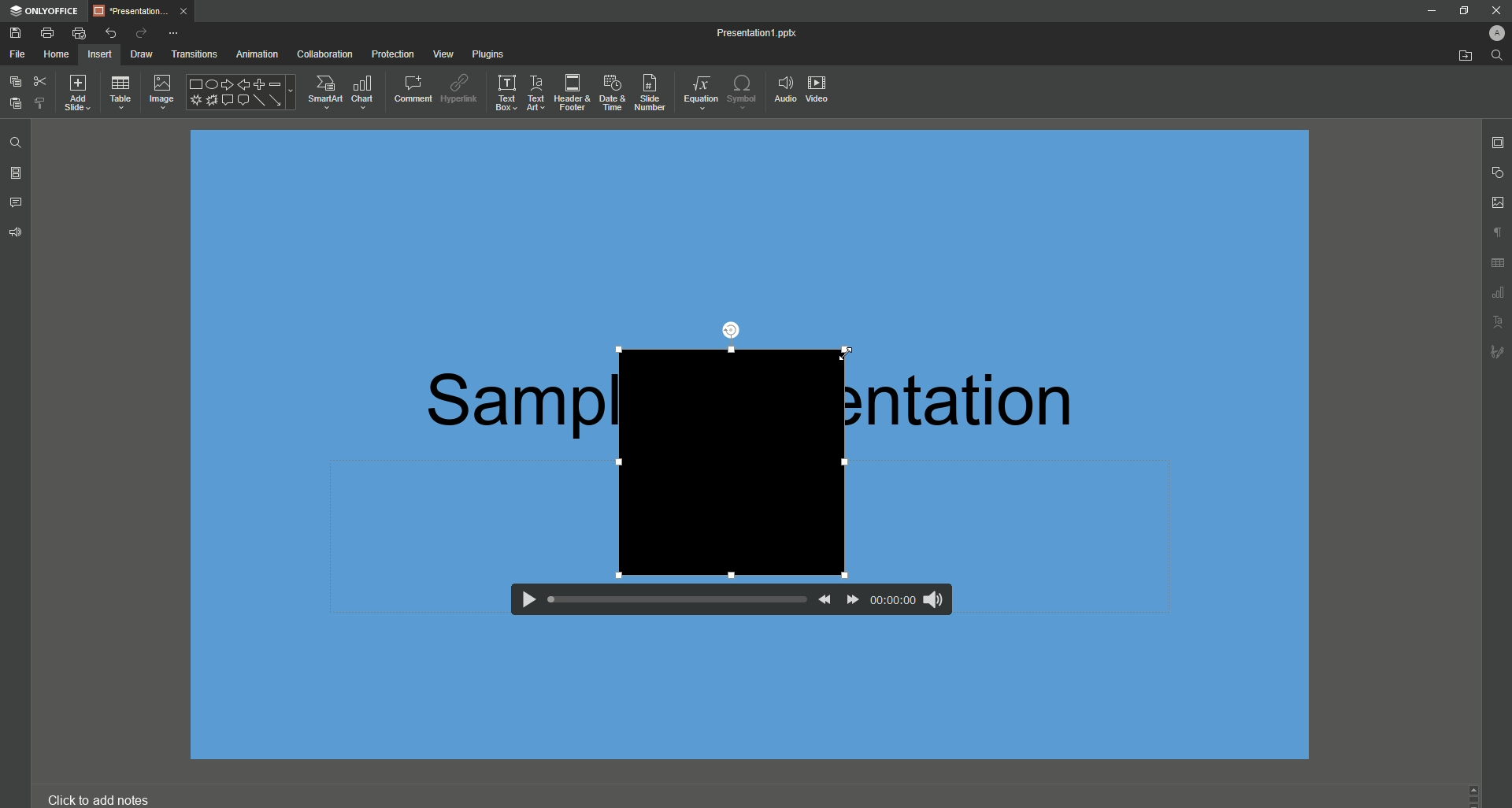 This screenshot has width=1512, height=808. Describe the element at coordinates (324, 54) in the screenshot. I see `Collaboration` at that location.